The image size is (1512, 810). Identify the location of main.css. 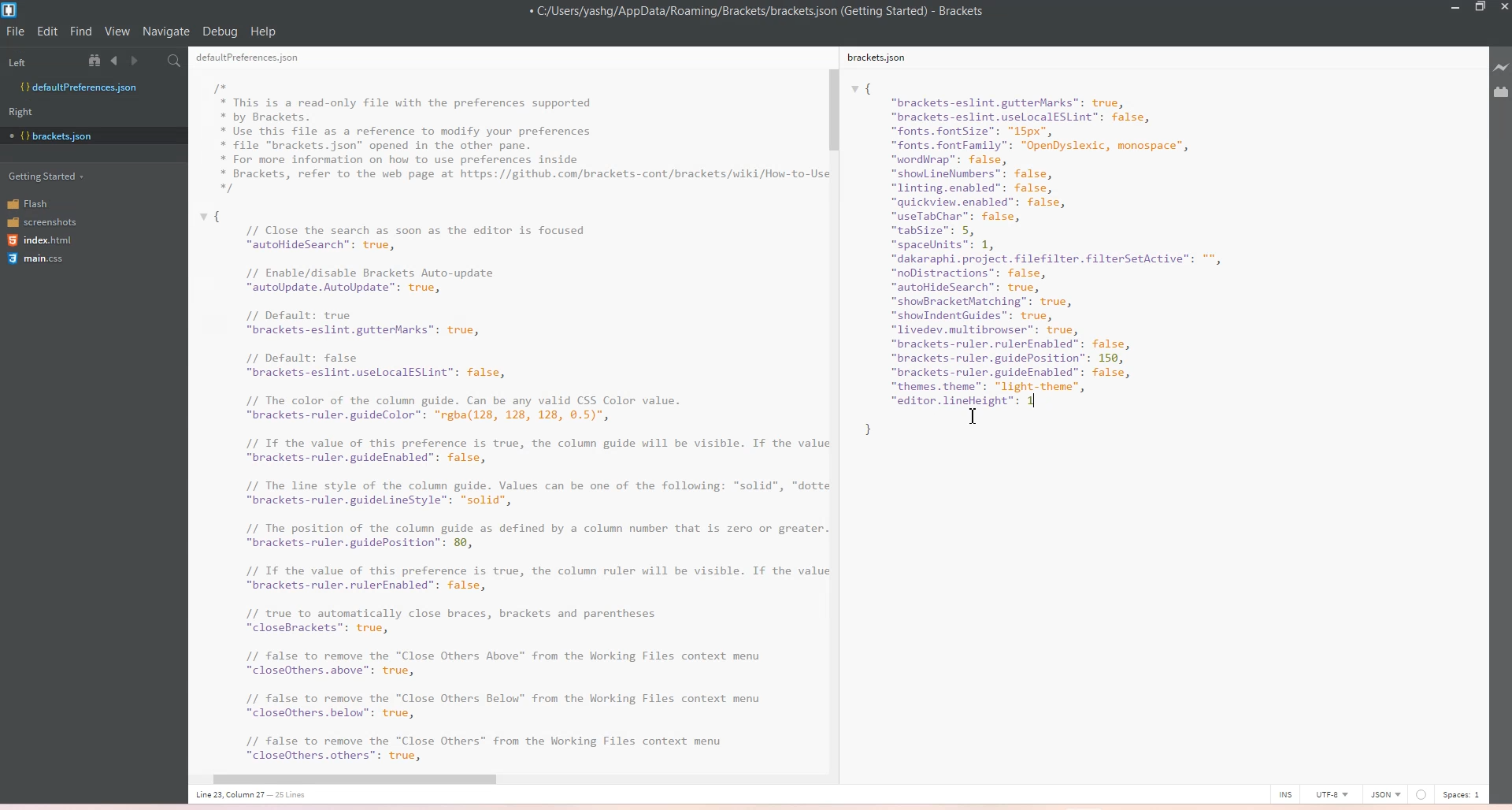
(39, 261).